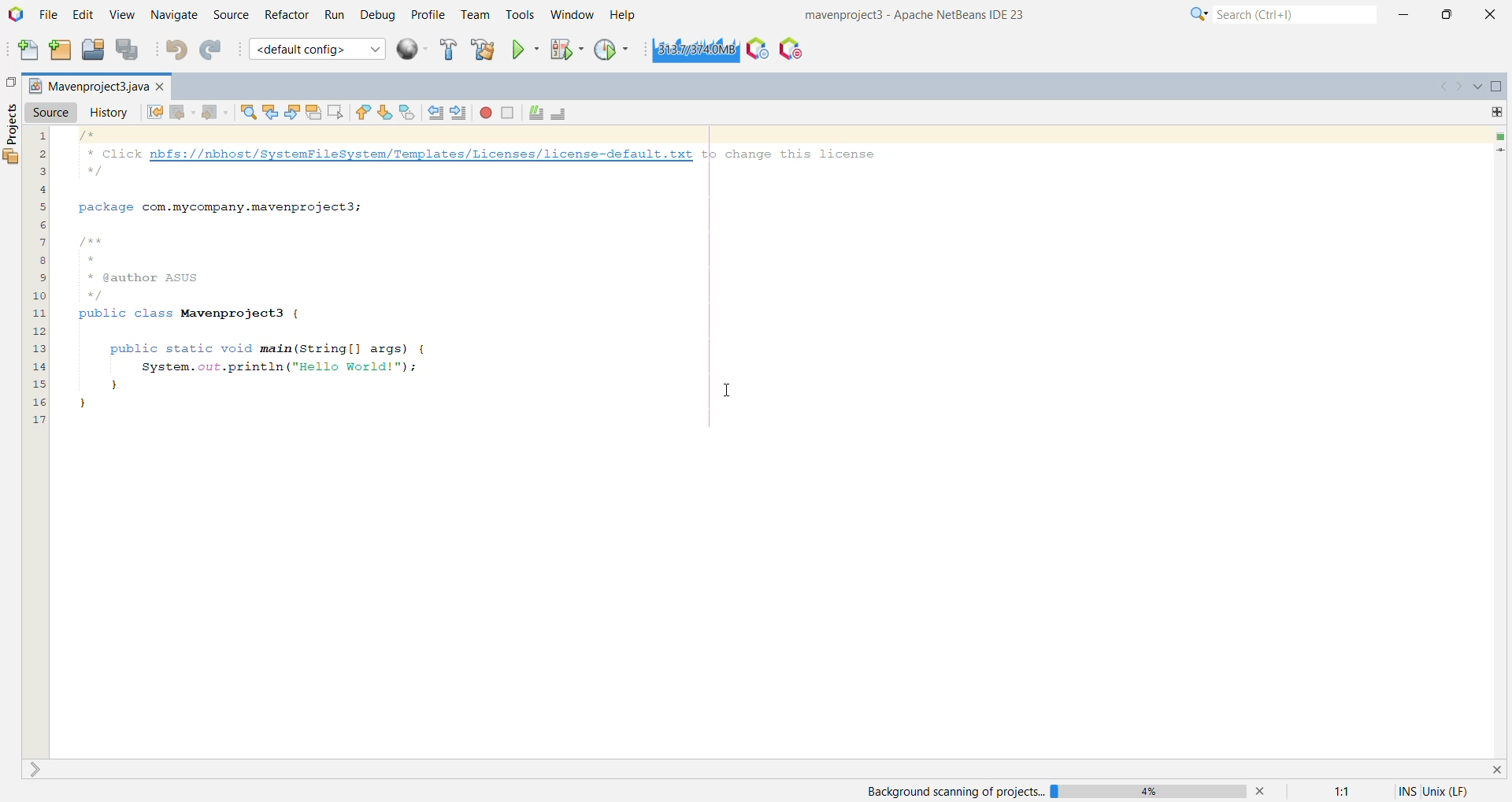  Describe the element at coordinates (109, 113) in the screenshot. I see `History` at that location.